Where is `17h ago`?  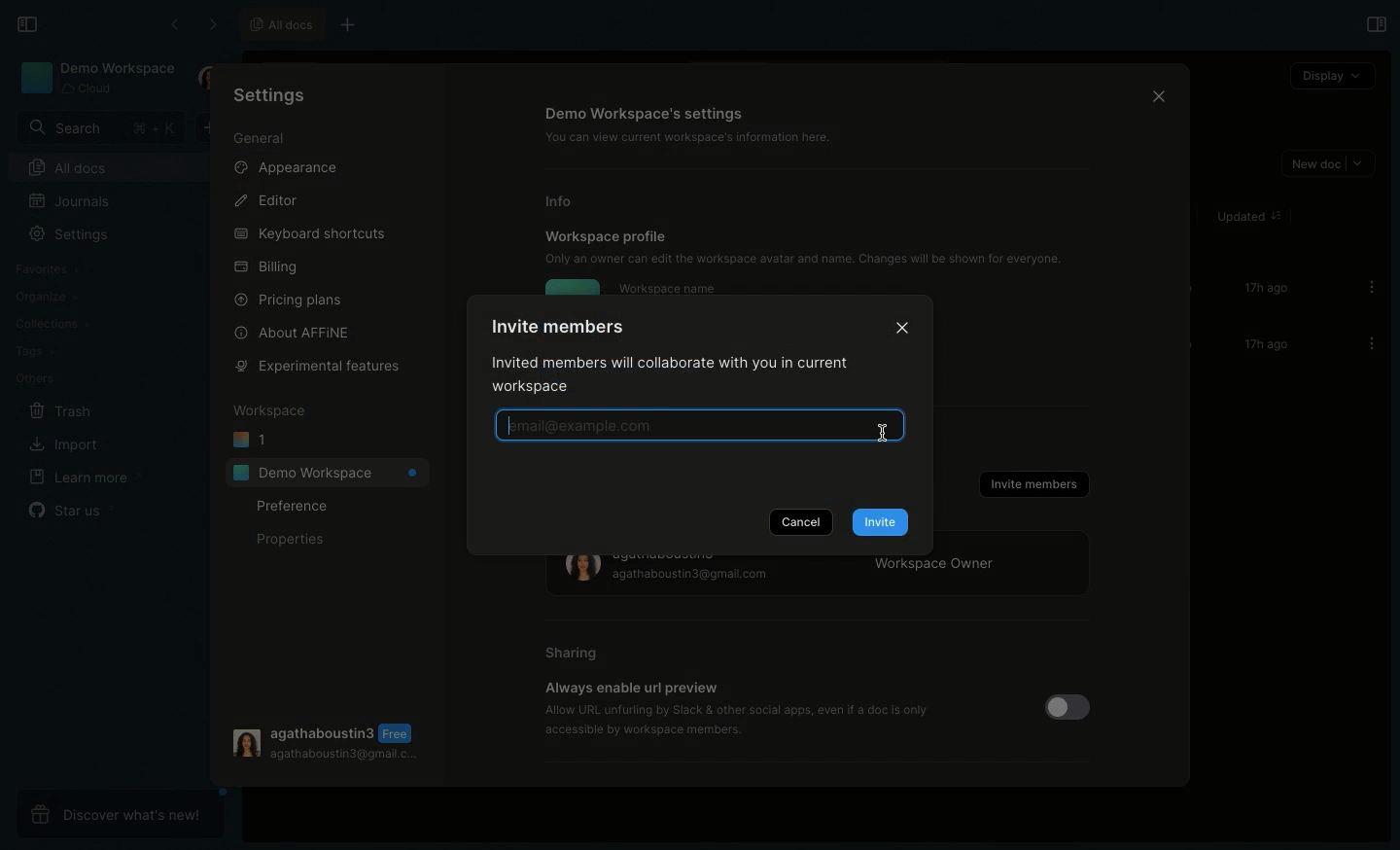 17h ago is located at coordinates (1263, 345).